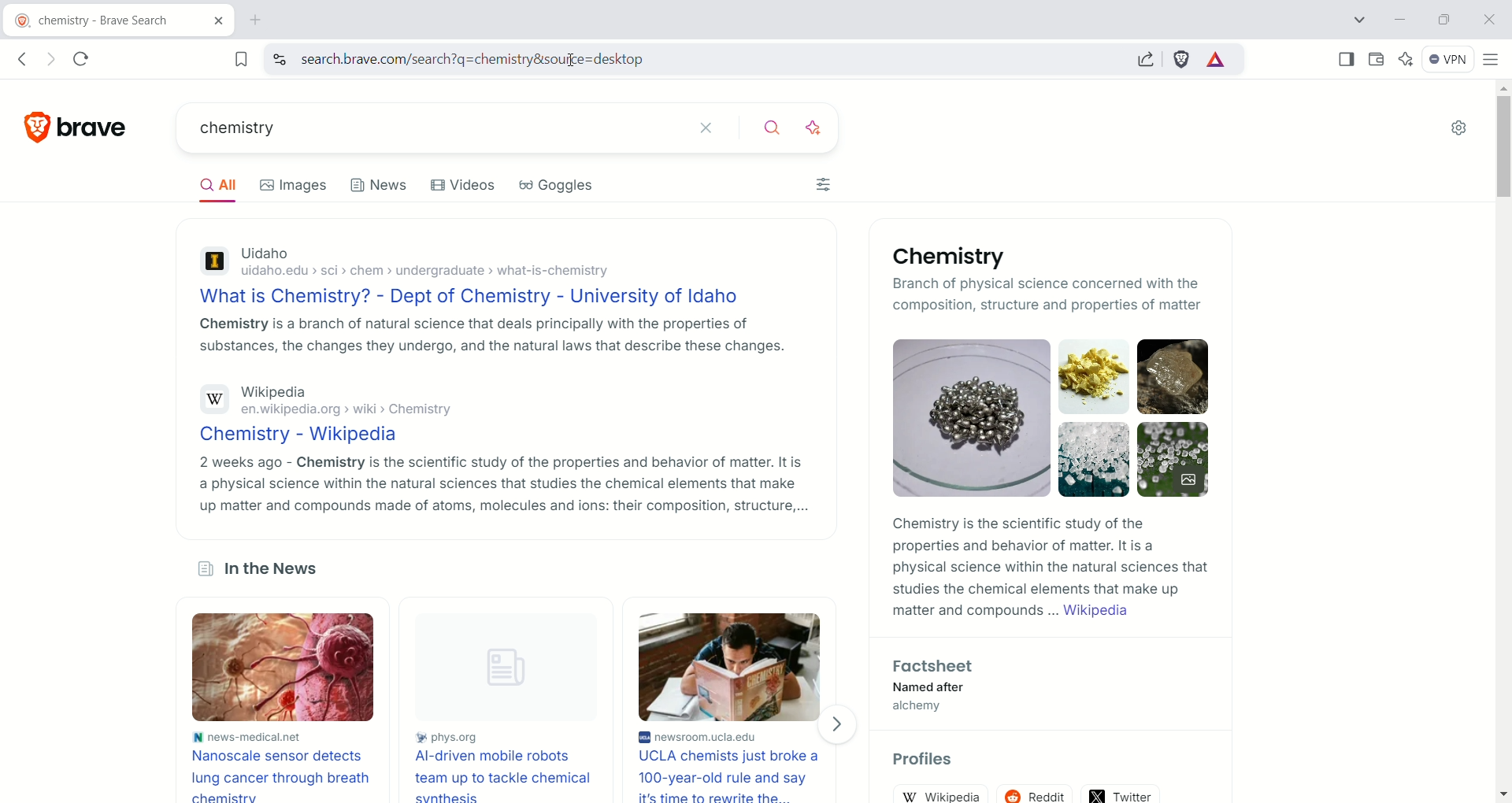  I want to click on click to go back, hold to see history, so click(24, 58).